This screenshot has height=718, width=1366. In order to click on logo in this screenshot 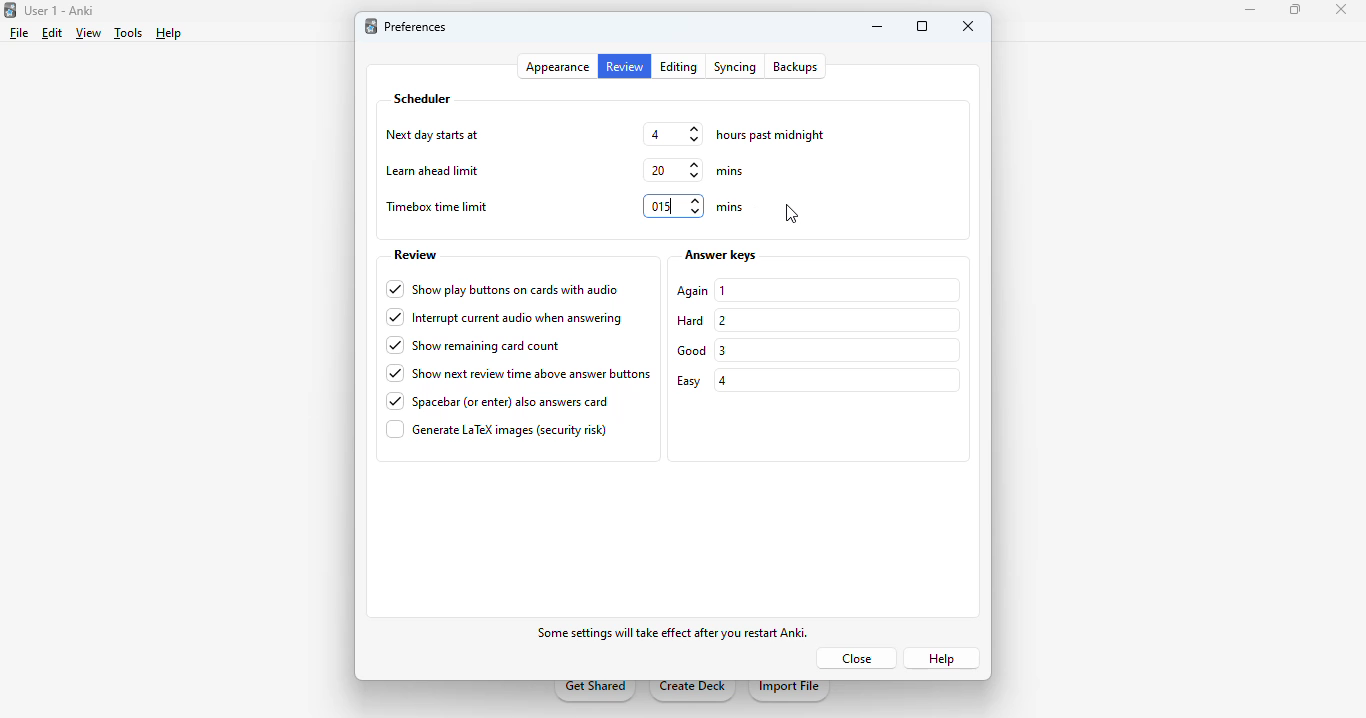, I will do `click(371, 26)`.